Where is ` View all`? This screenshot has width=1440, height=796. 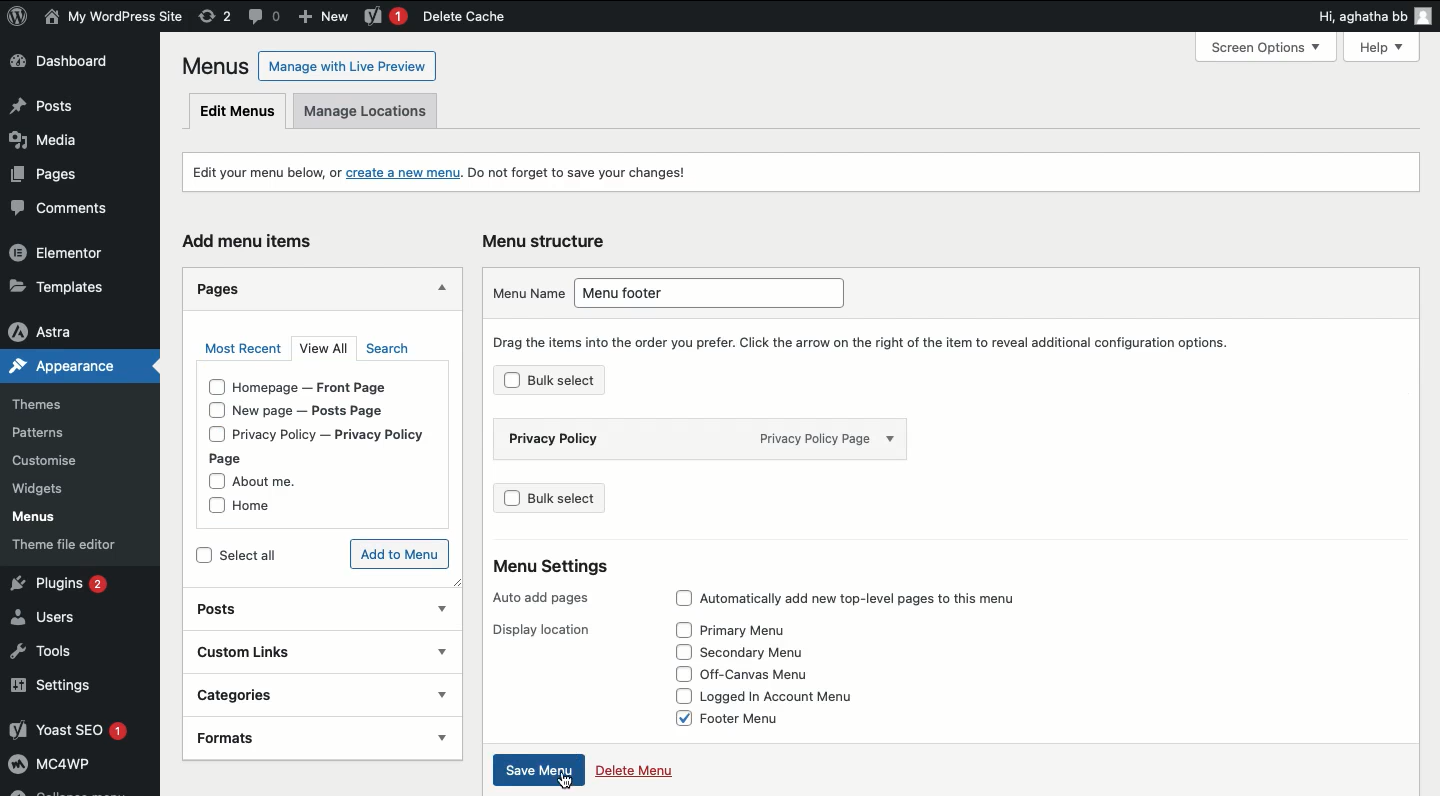
 View all is located at coordinates (327, 350).